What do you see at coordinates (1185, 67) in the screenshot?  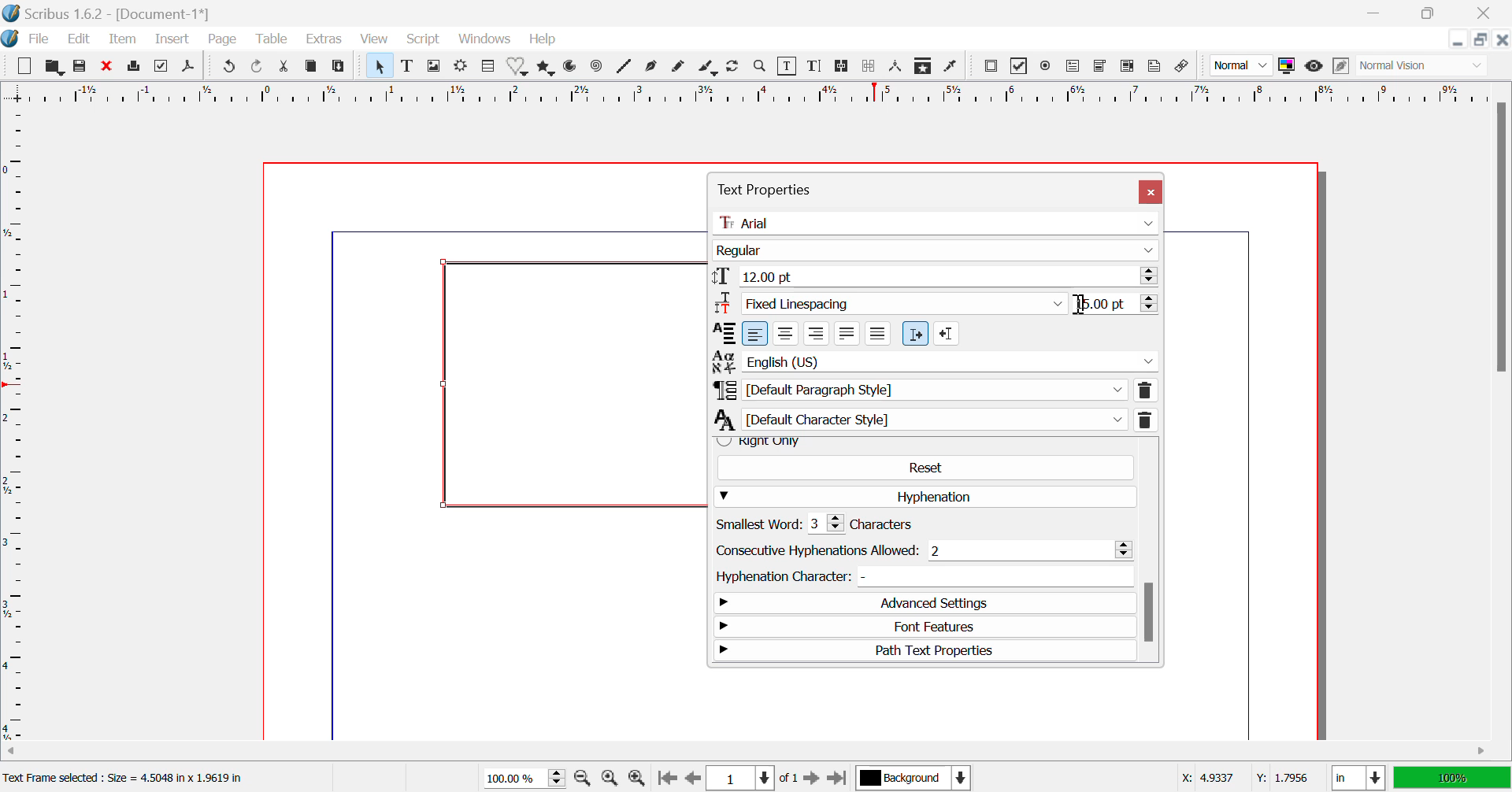 I see `Link annotation` at bounding box center [1185, 67].